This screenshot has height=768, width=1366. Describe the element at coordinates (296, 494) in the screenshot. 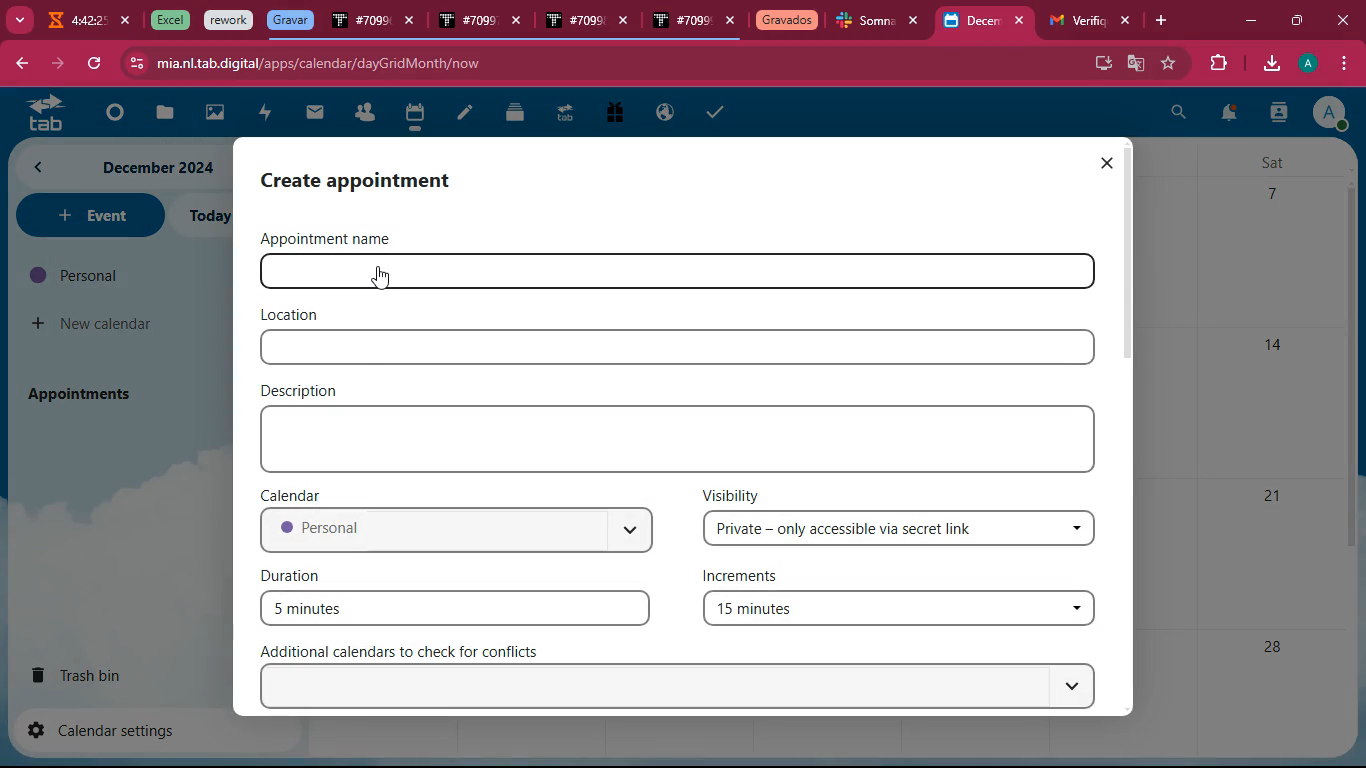

I see `calendar` at that location.